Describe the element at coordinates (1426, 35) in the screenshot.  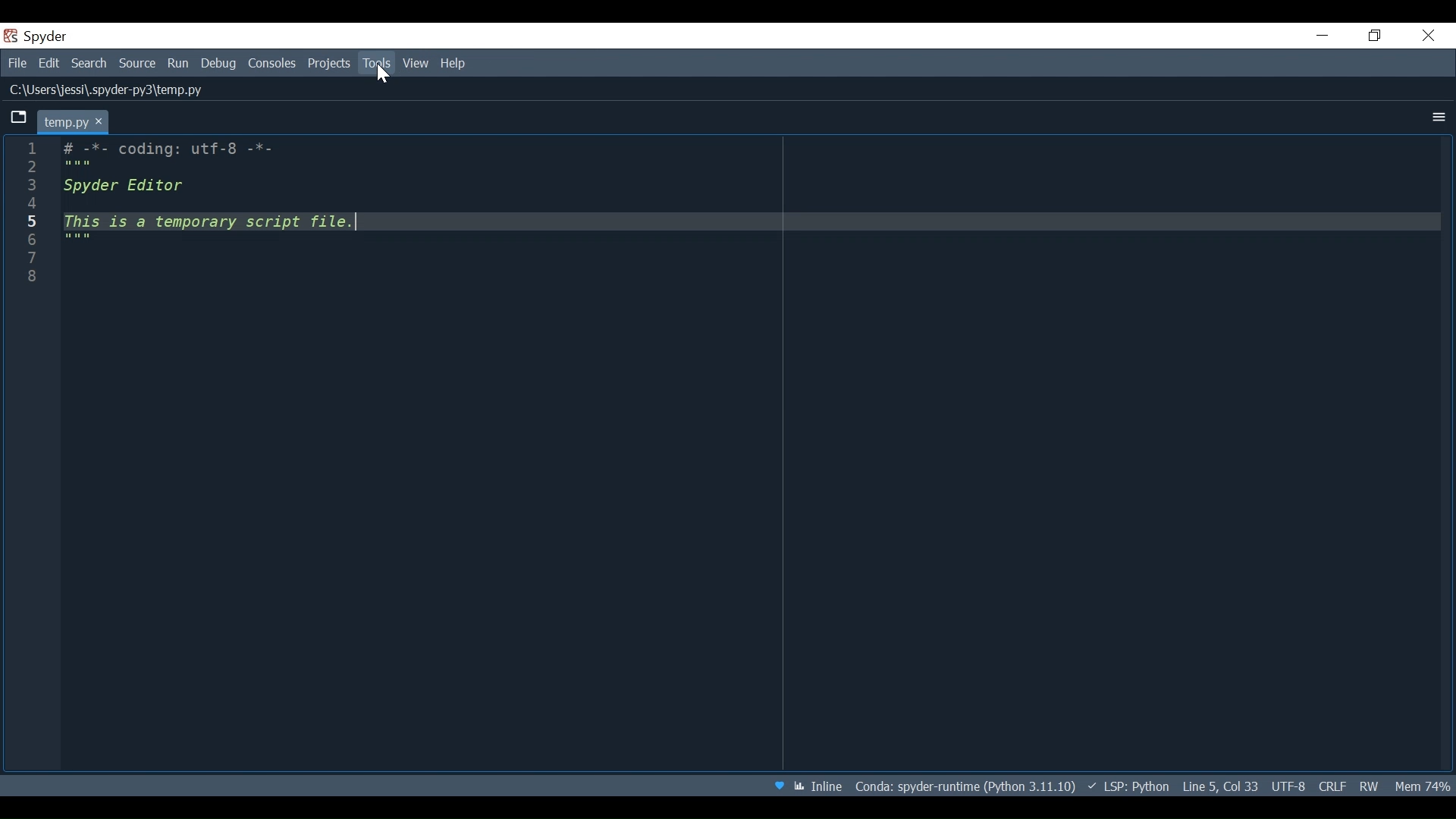
I see `Close` at that location.